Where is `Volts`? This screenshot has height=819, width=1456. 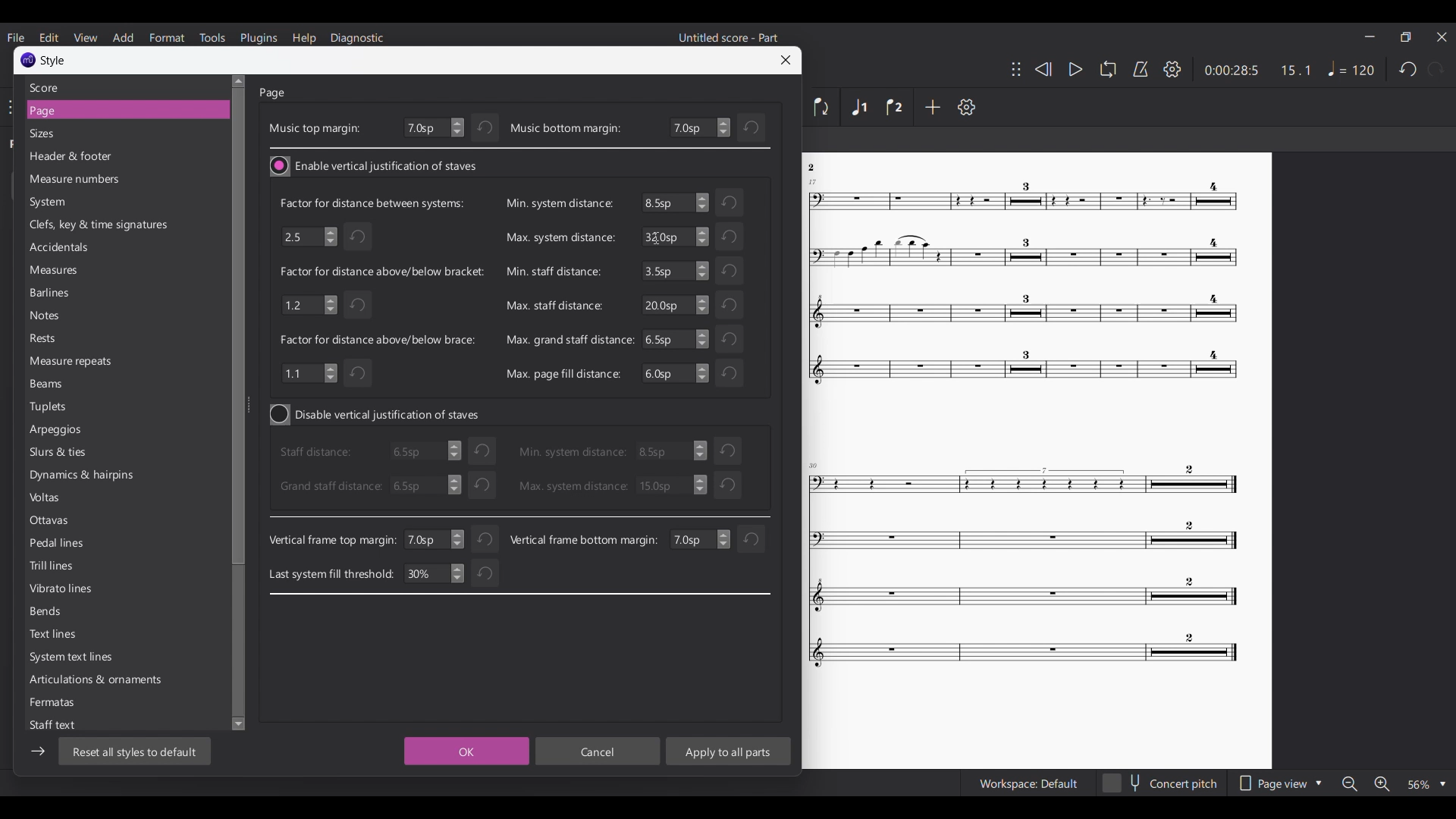 Volts is located at coordinates (79, 500).